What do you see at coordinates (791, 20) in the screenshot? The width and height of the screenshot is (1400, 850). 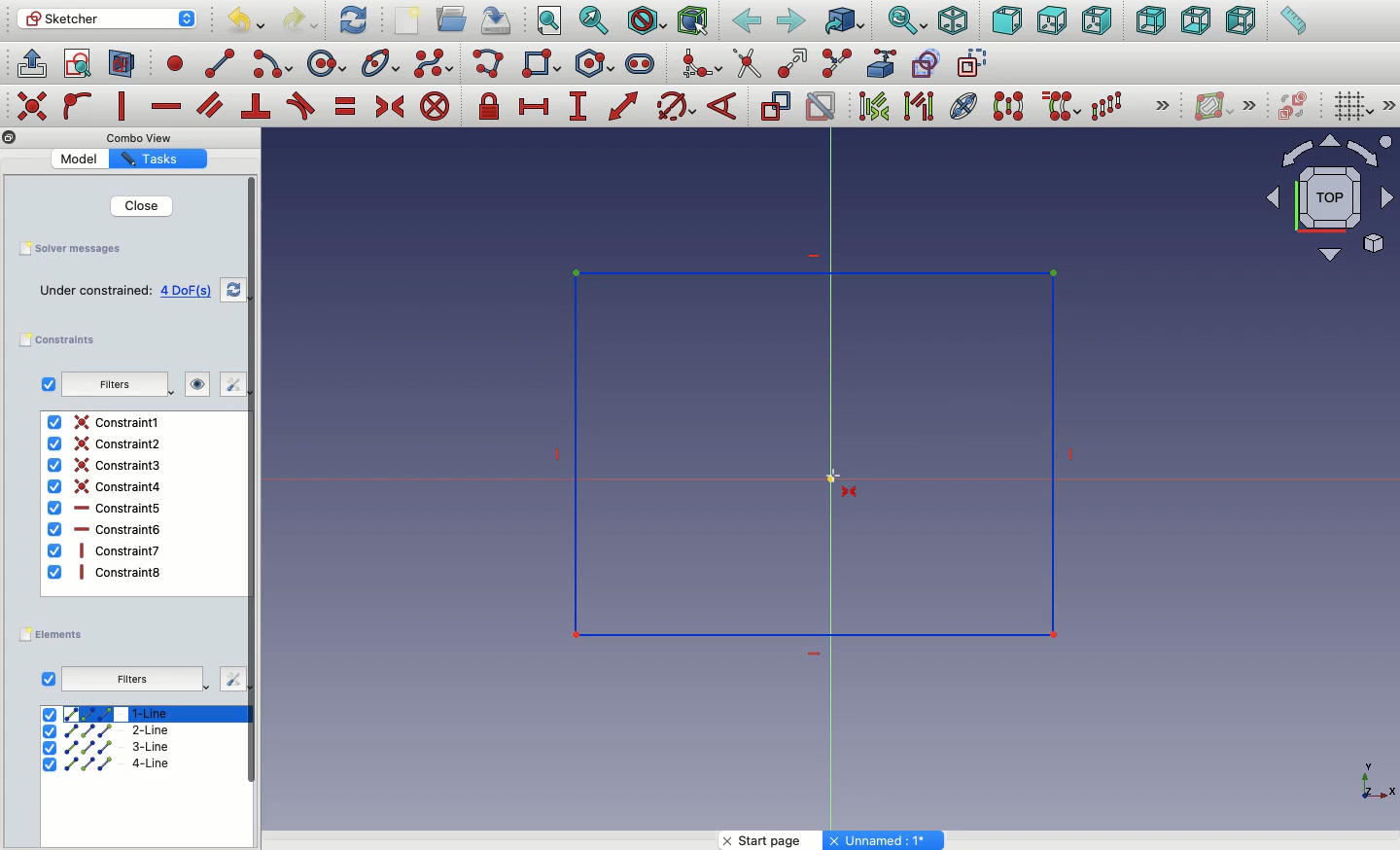 I see `Forward` at bounding box center [791, 20].